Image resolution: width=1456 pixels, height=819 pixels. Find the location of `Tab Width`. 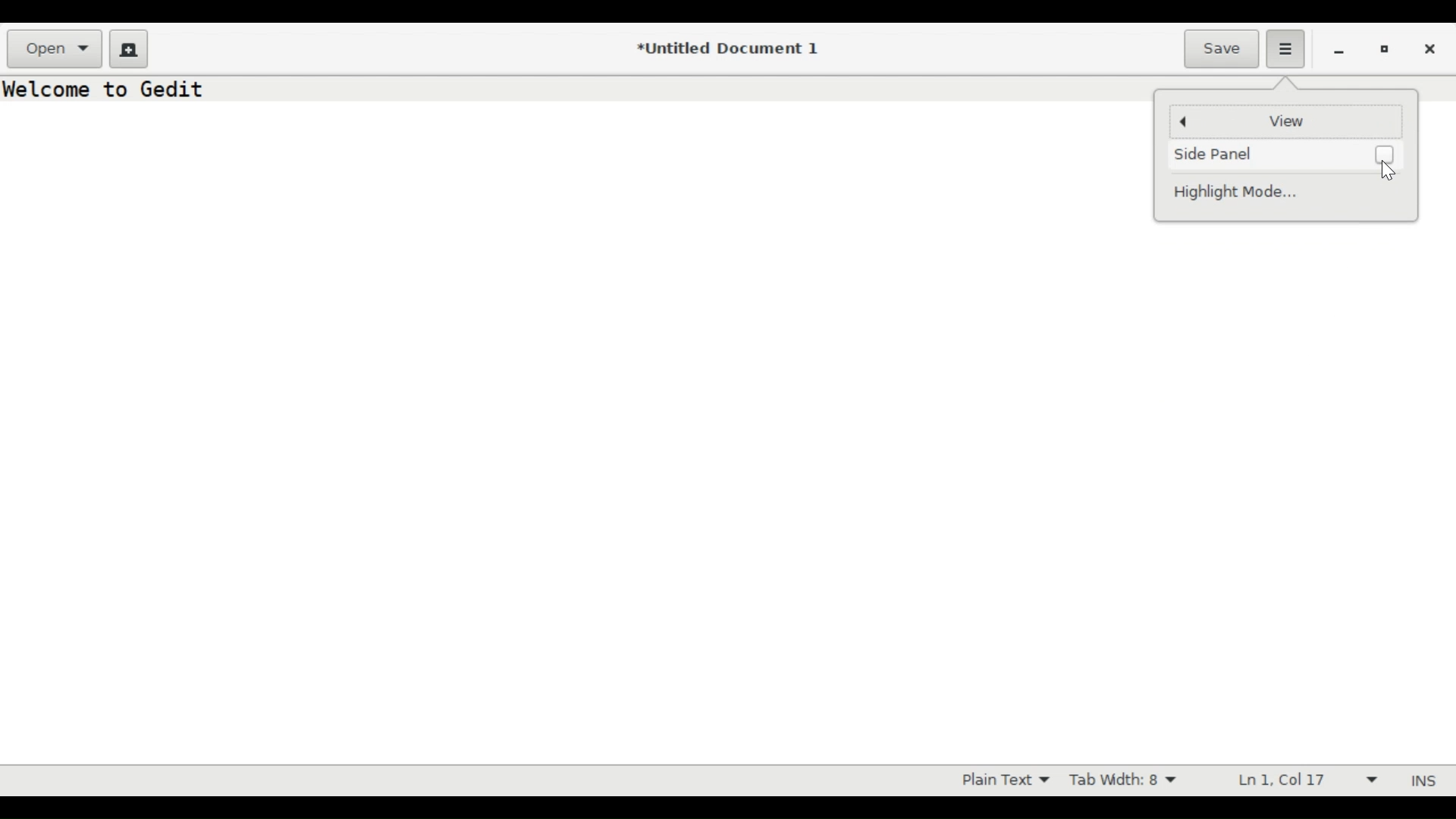

Tab Width is located at coordinates (1129, 780).